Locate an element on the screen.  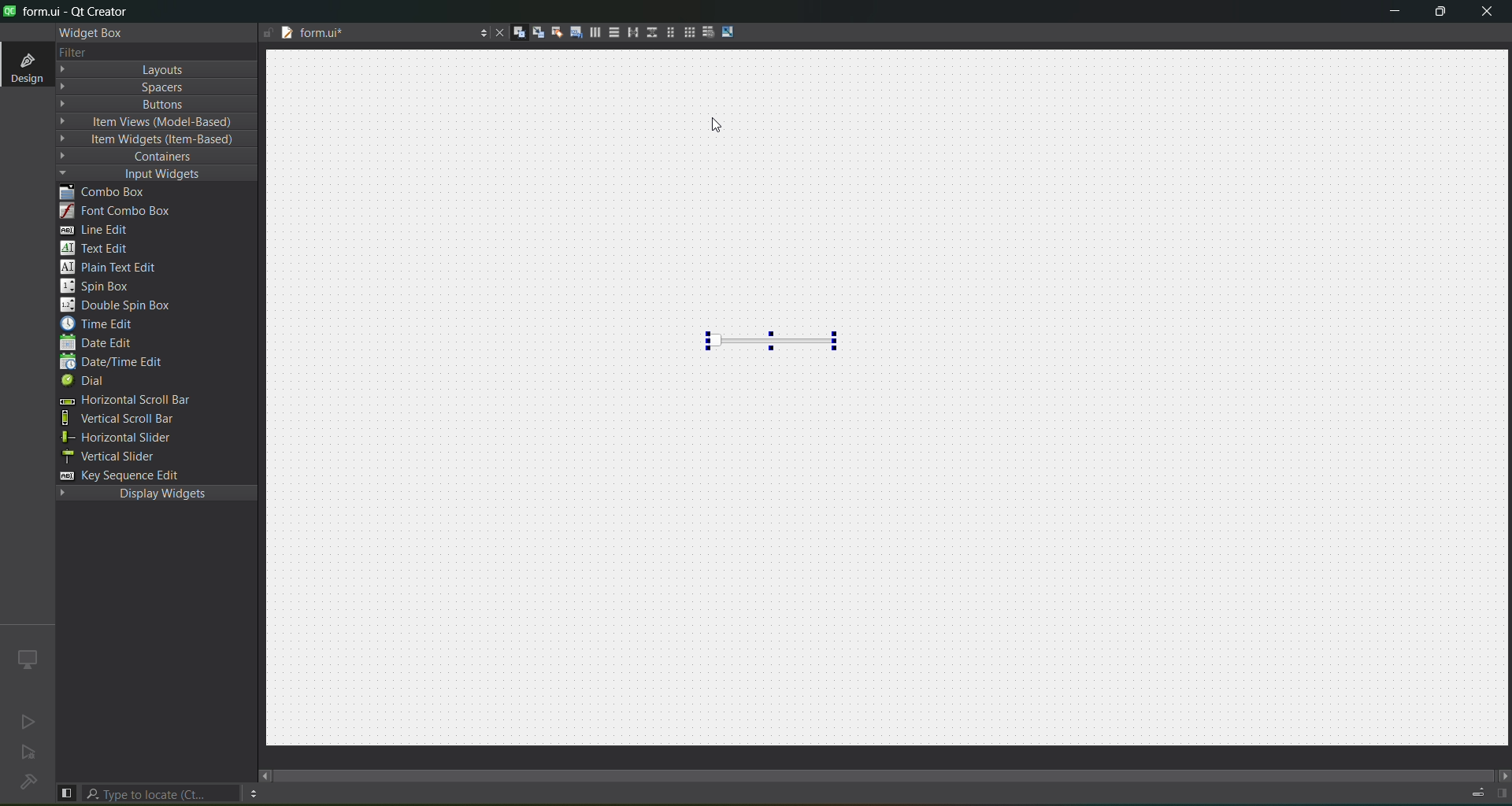
horizontal scroll bar is located at coordinates (153, 400).